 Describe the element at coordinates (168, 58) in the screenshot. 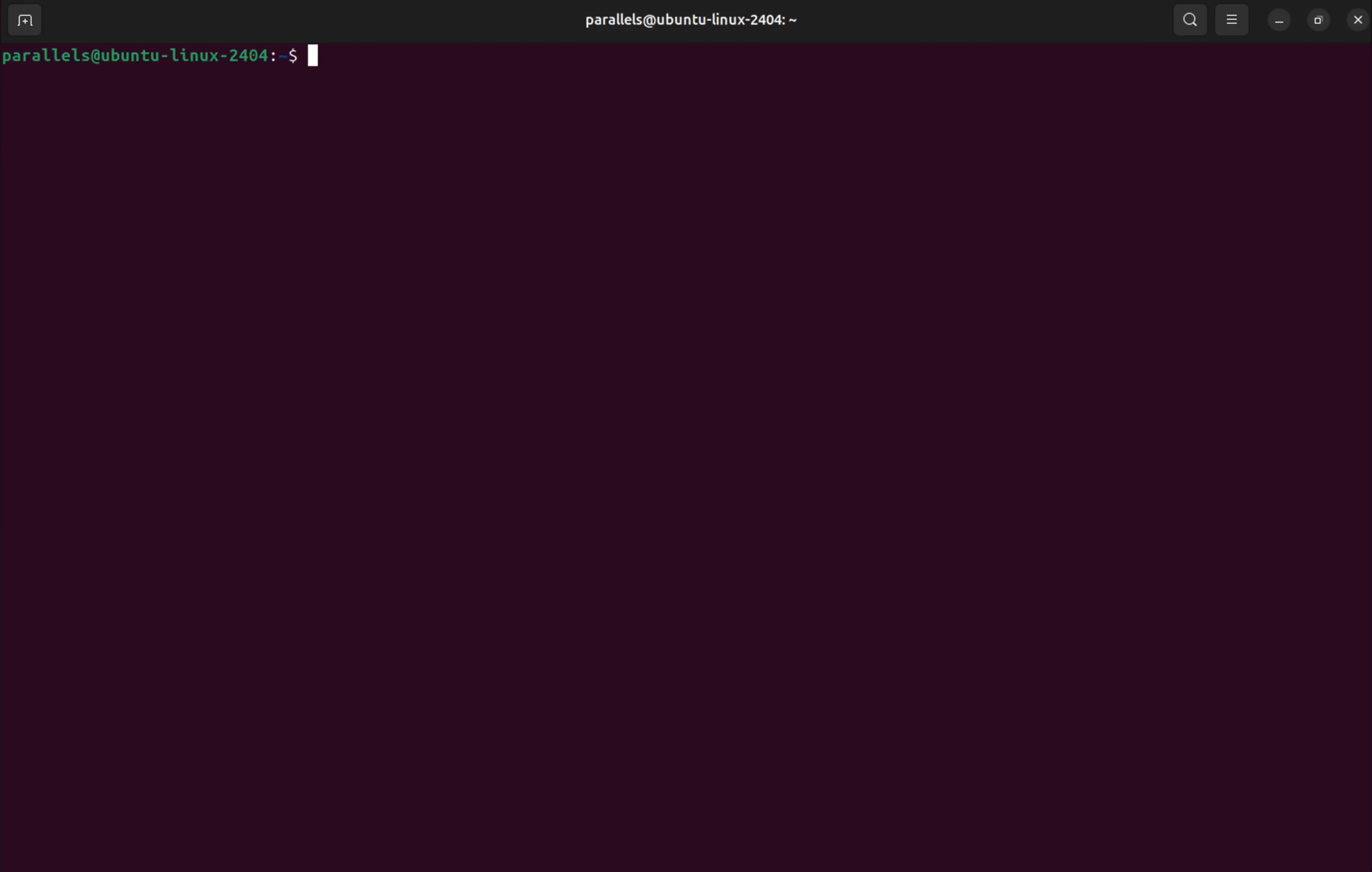

I see `parallels@ubuntu-linux-2404:~$` at that location.